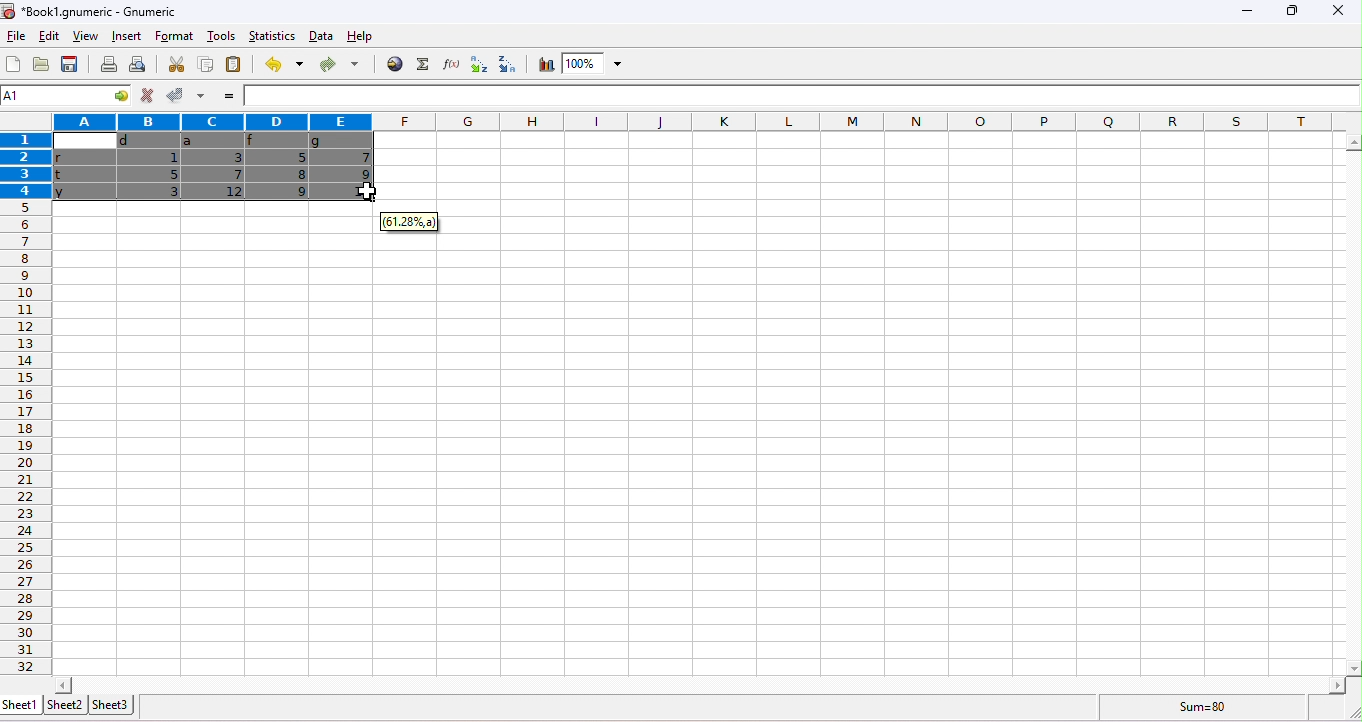 Image resolution: width=1362 pixels, height=722 pixels. Describe the element at coordinates (1293, 13) in the screenshot. I see `maximize` at that location.